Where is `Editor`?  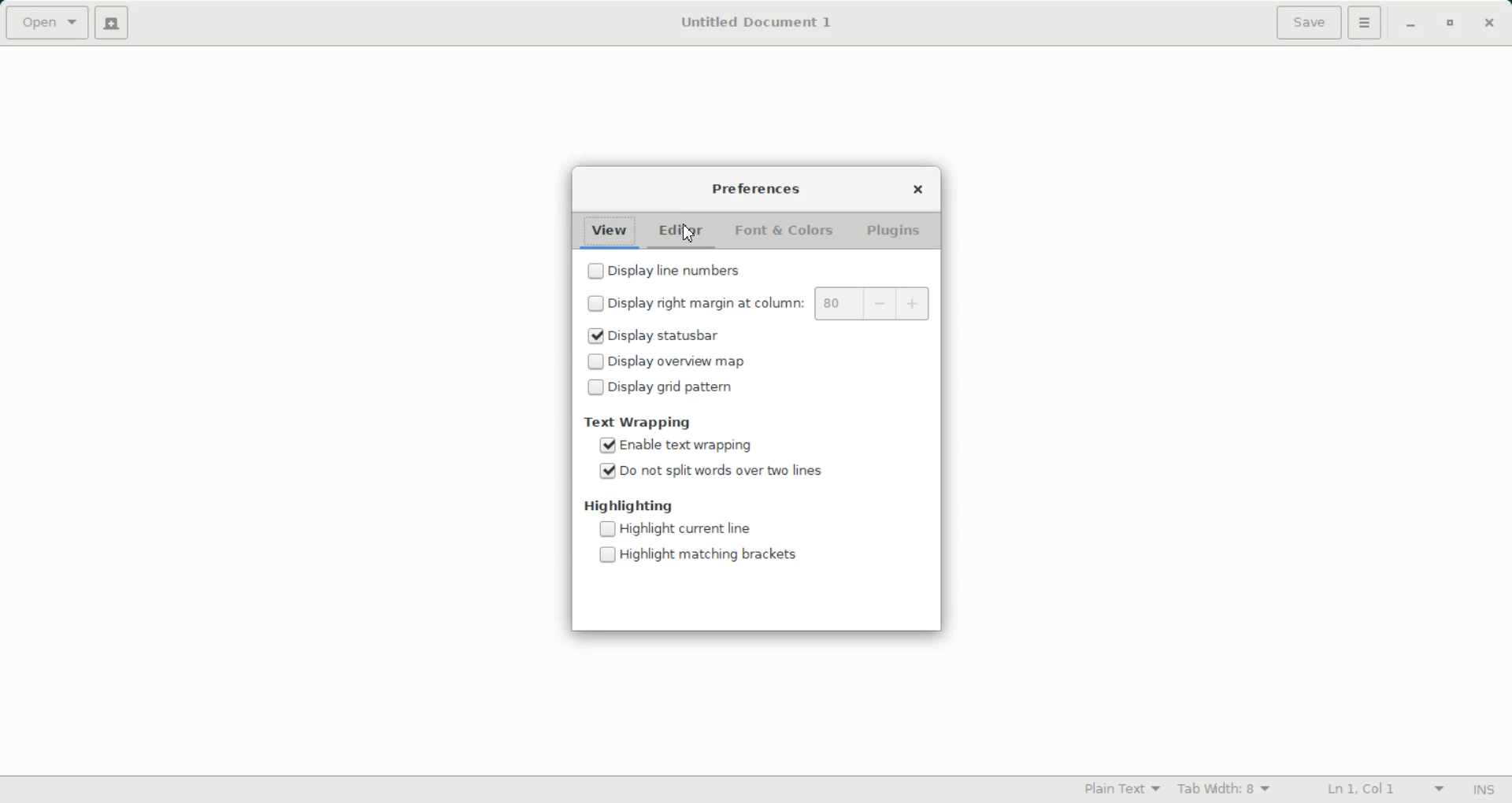 Editor is located at coordinates (683, 231).